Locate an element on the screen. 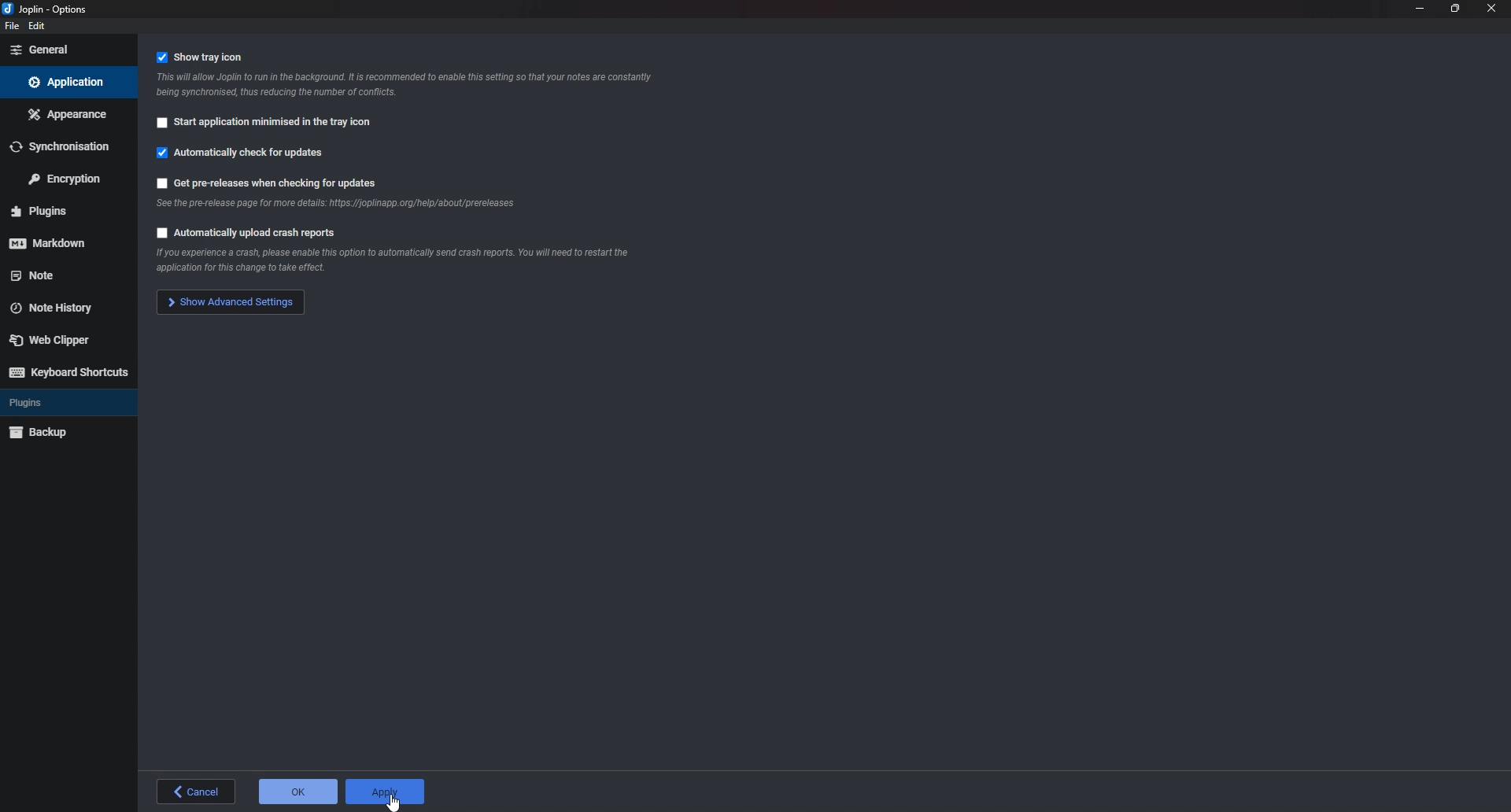 This screenshot has width=1511, height=812. Get pre releases when checking for updates is located at coordinates (274, 183).